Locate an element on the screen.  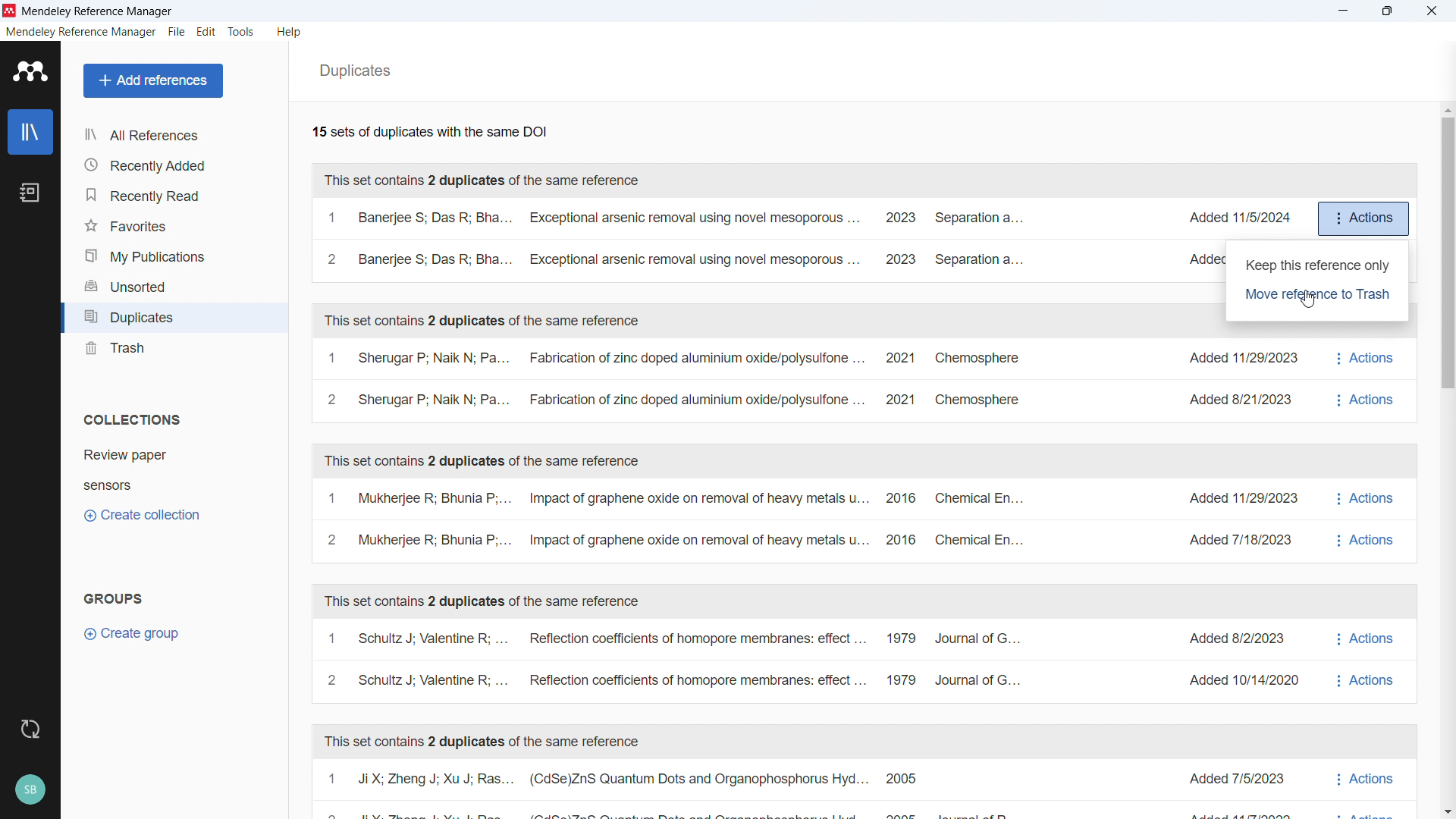
Add reference  is located at coordinates (152, 80).